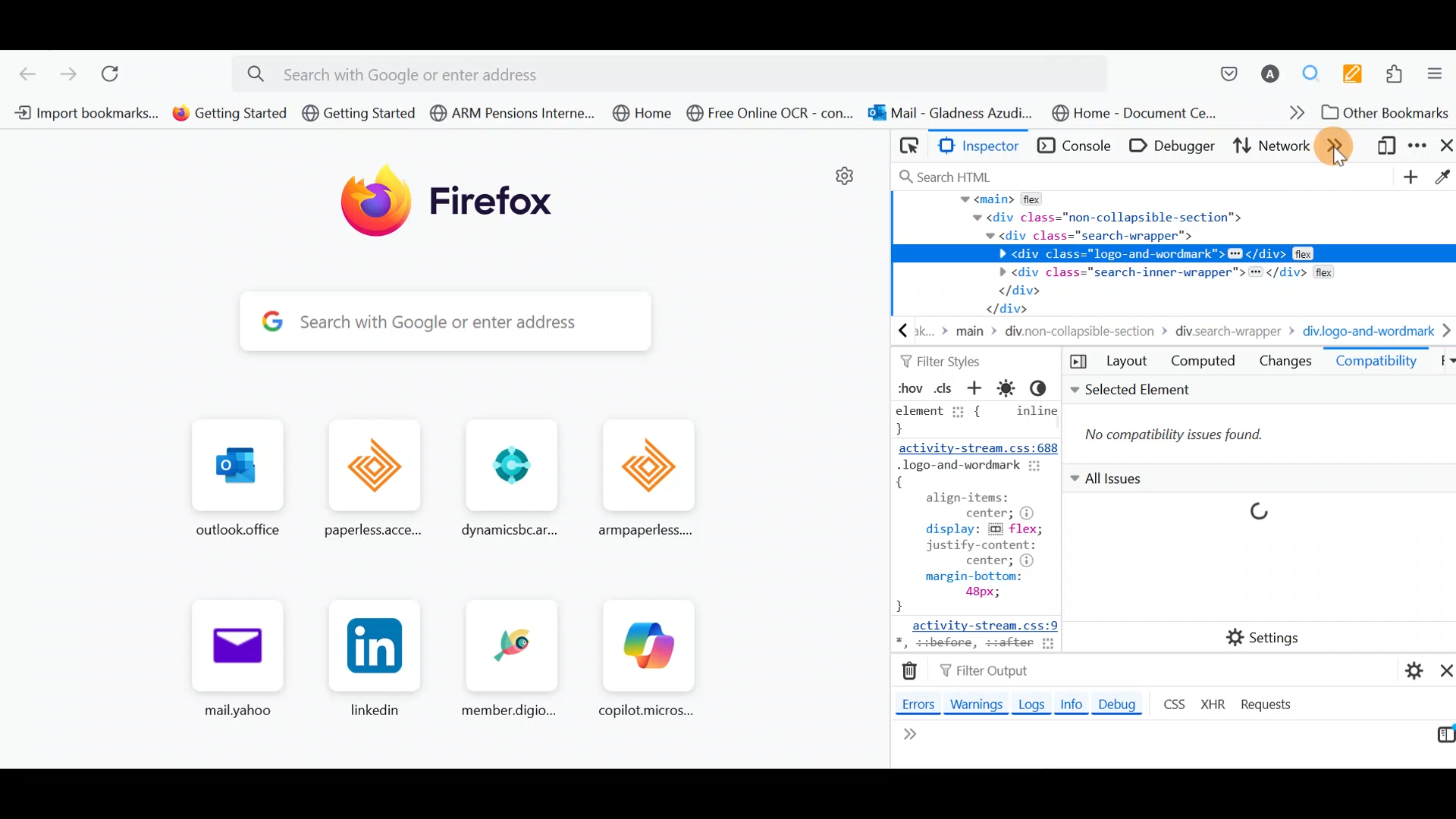 The image size is (1456, 819). What do you see at coordinates (1009, 388) in the screenshot?
I see `Toggle light color scheme simulation for the page` at bounding box center [1009, 388].